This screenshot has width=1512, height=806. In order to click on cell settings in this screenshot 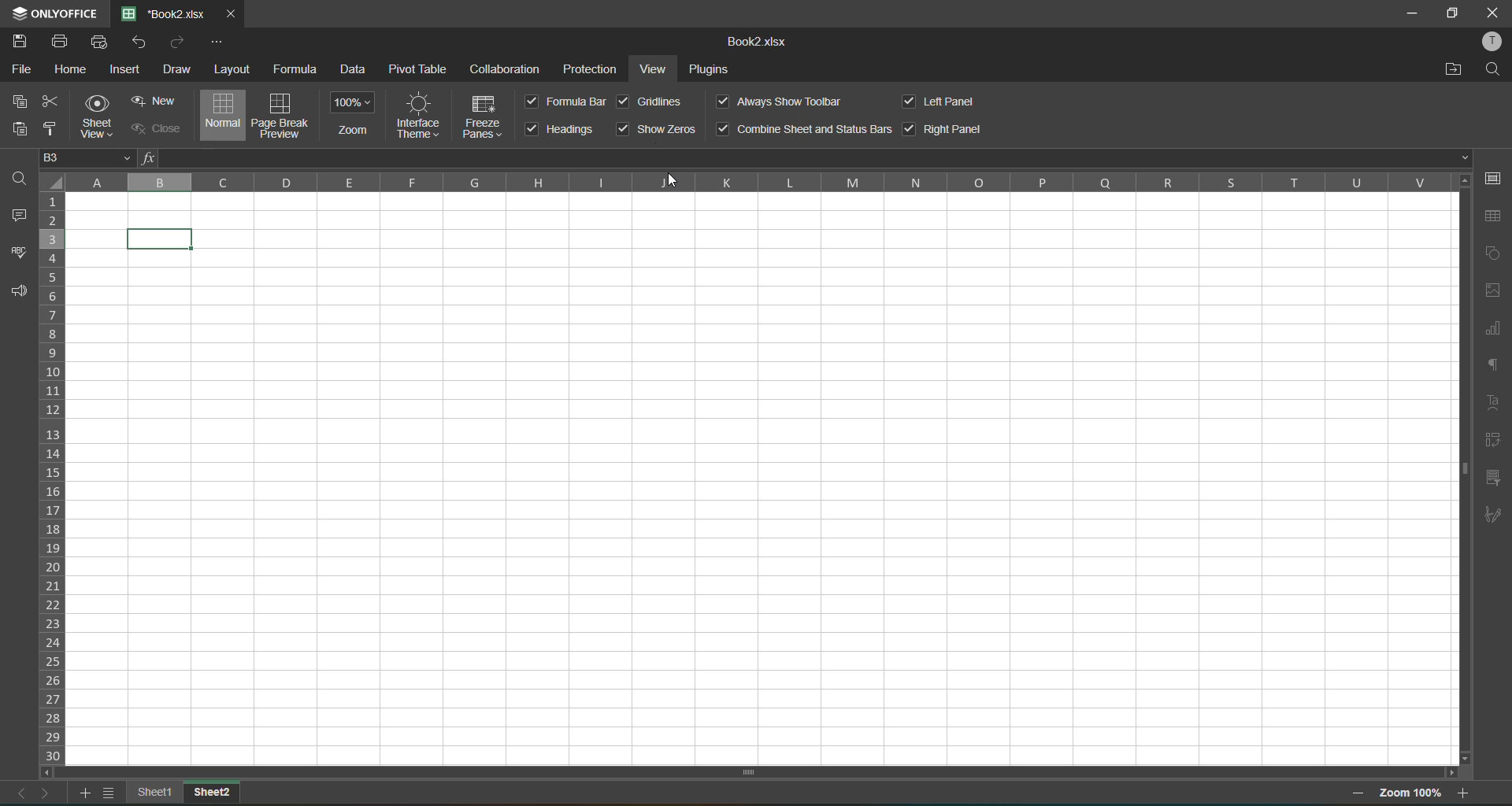, I will do `click(1497, 179)`.